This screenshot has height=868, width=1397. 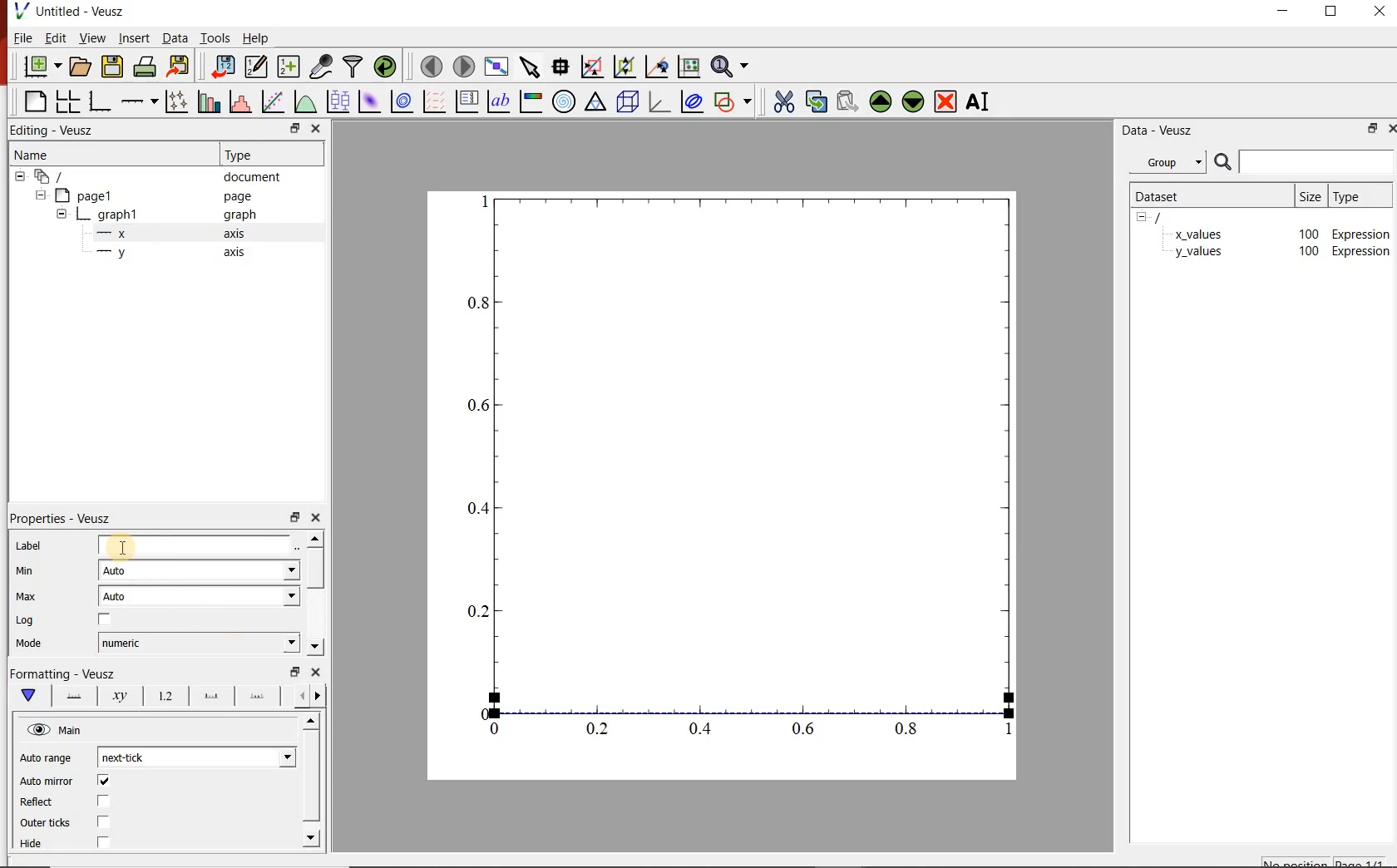 What do you see at coordinates (217, 37) in the screenshot?
I see `tools` at bounding box center [217, 37].